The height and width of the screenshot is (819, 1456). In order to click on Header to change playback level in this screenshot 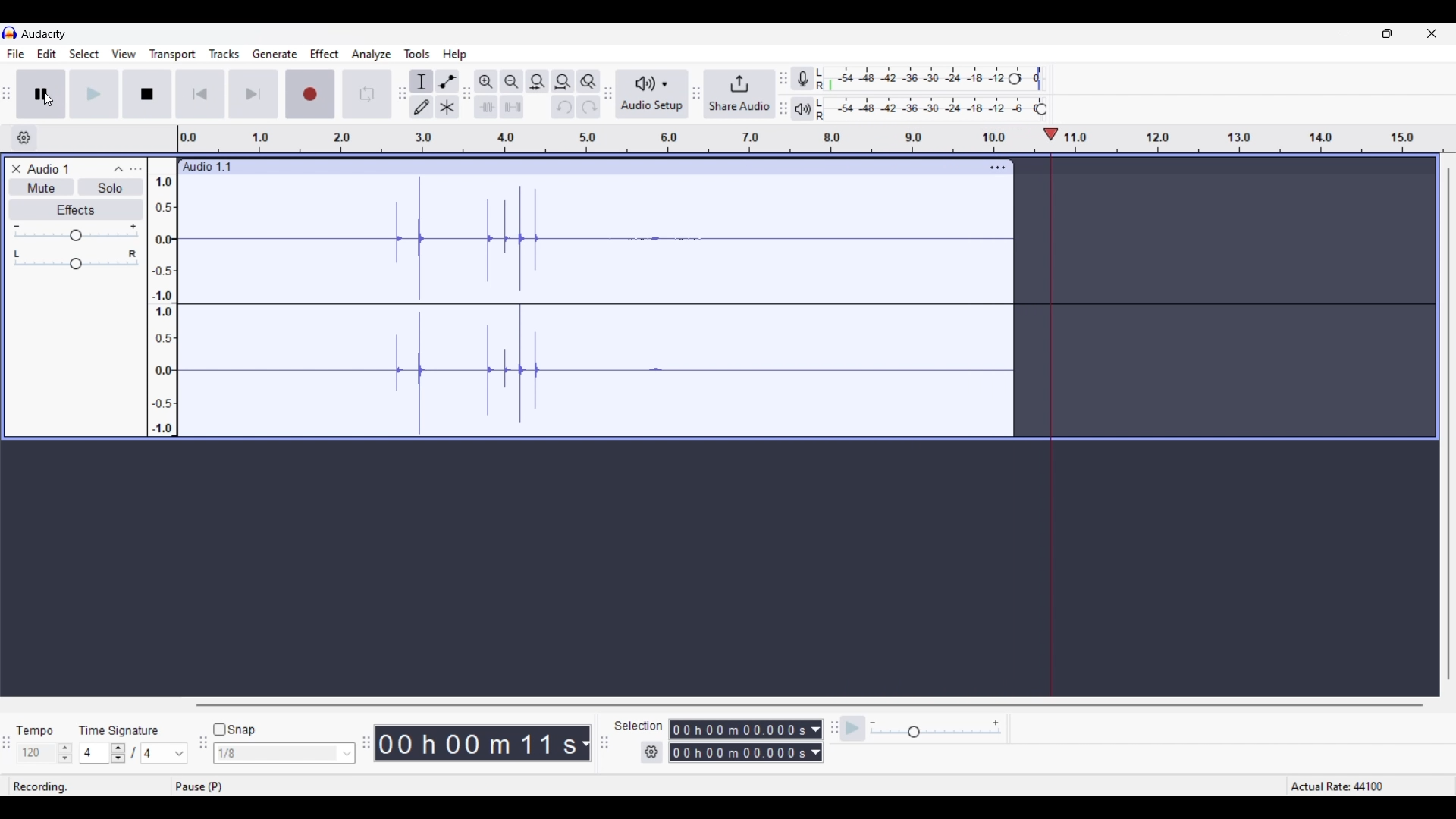, I will do `click(1041, 109)`.